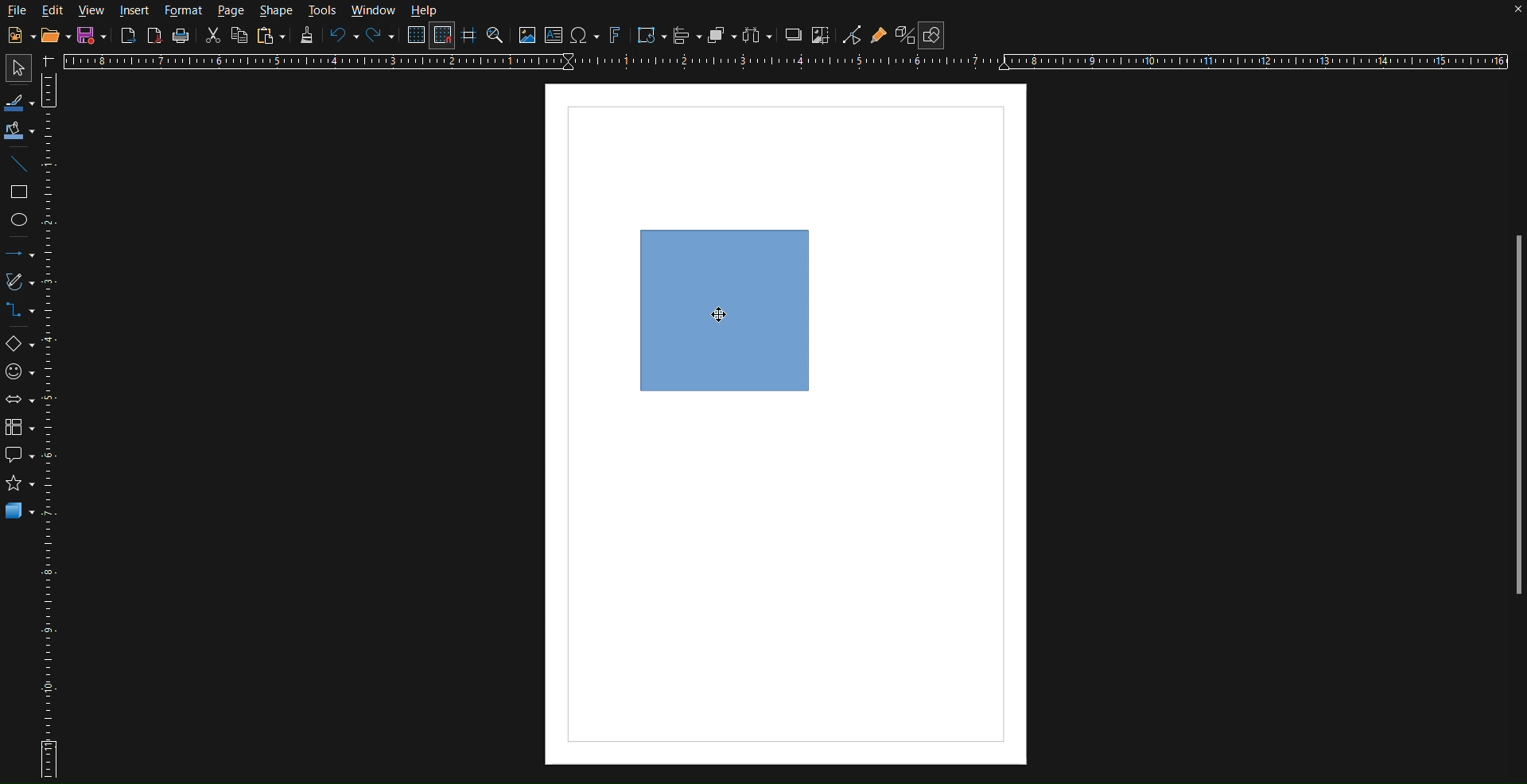  Describe the element at coordinates (306, 39) in the screenshot. I see `Formatting` at that location.